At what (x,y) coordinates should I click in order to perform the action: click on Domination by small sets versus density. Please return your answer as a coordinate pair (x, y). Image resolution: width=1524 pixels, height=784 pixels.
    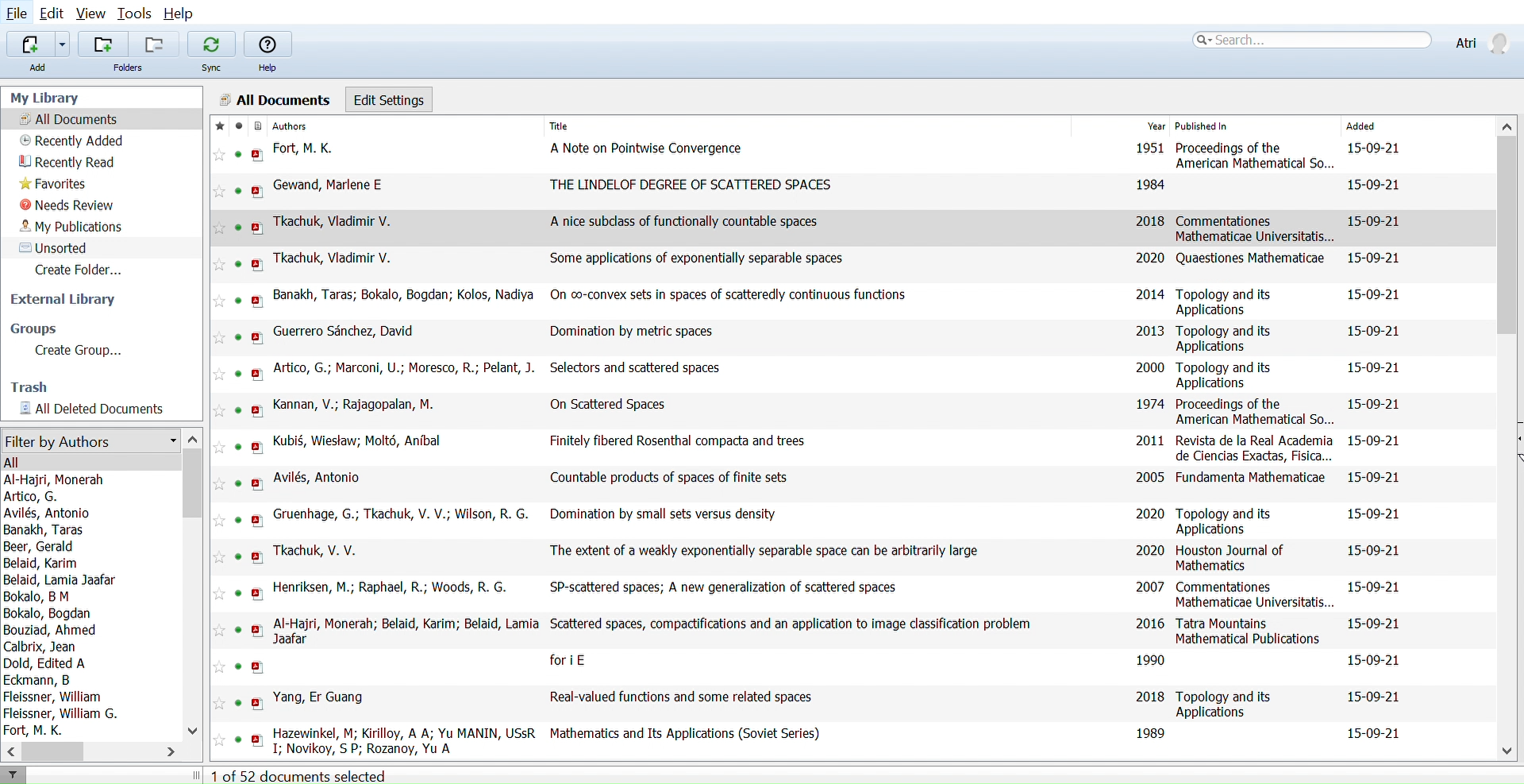
    Looking at the image, I should click on (664, 513).